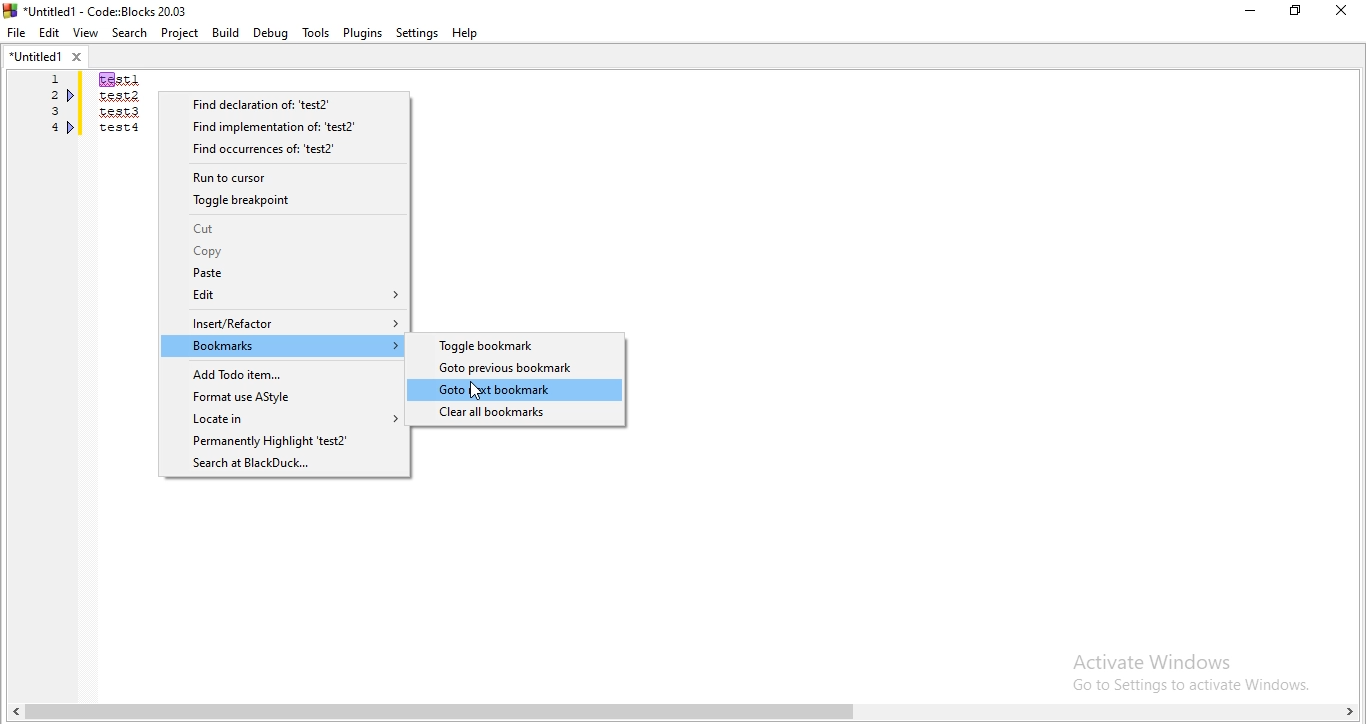  I want to click on Serial number 1, 2,3,4, so click(52, 107).